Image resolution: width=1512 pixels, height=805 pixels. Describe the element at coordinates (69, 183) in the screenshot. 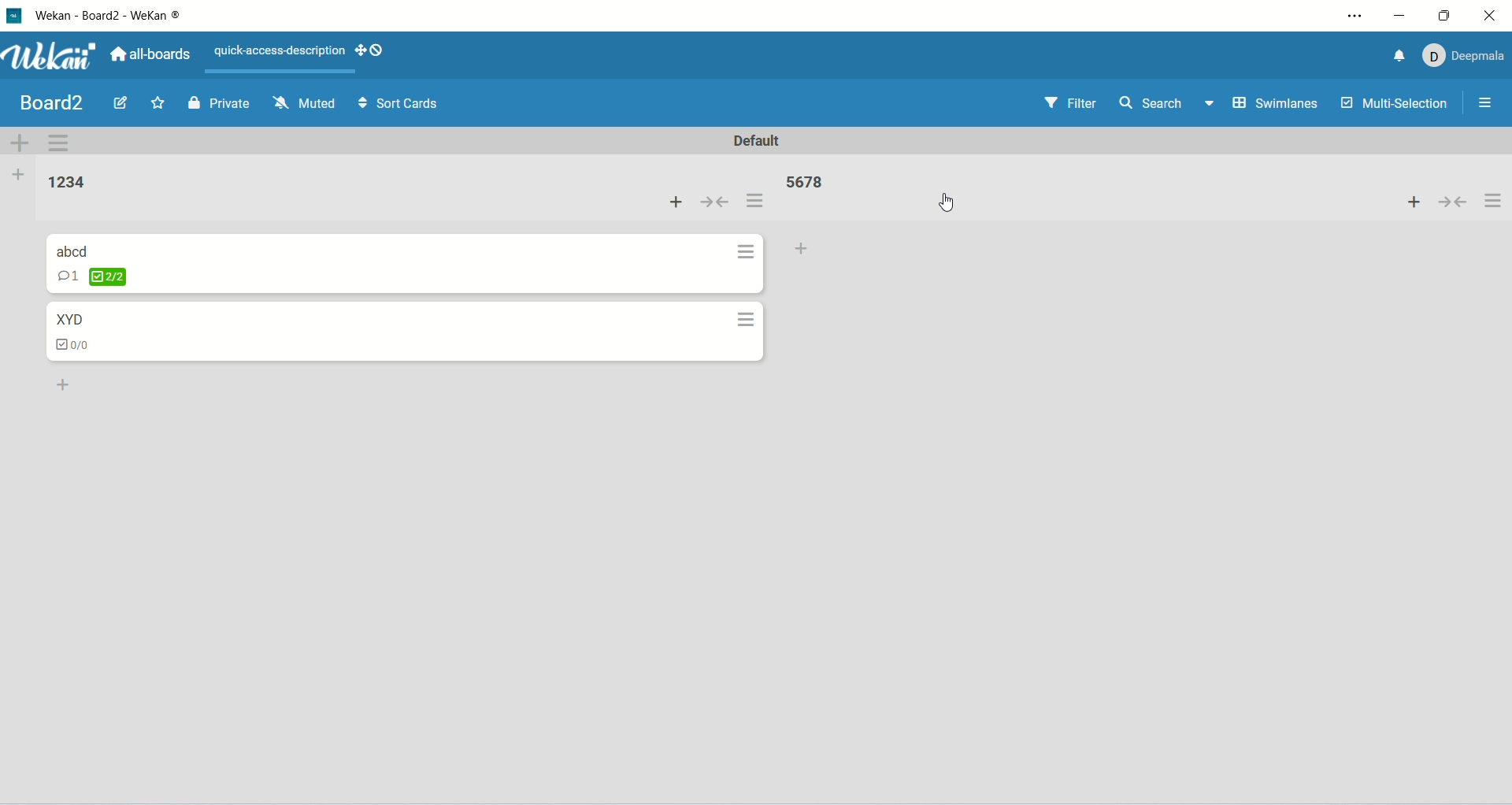

I see `list title` at that location.